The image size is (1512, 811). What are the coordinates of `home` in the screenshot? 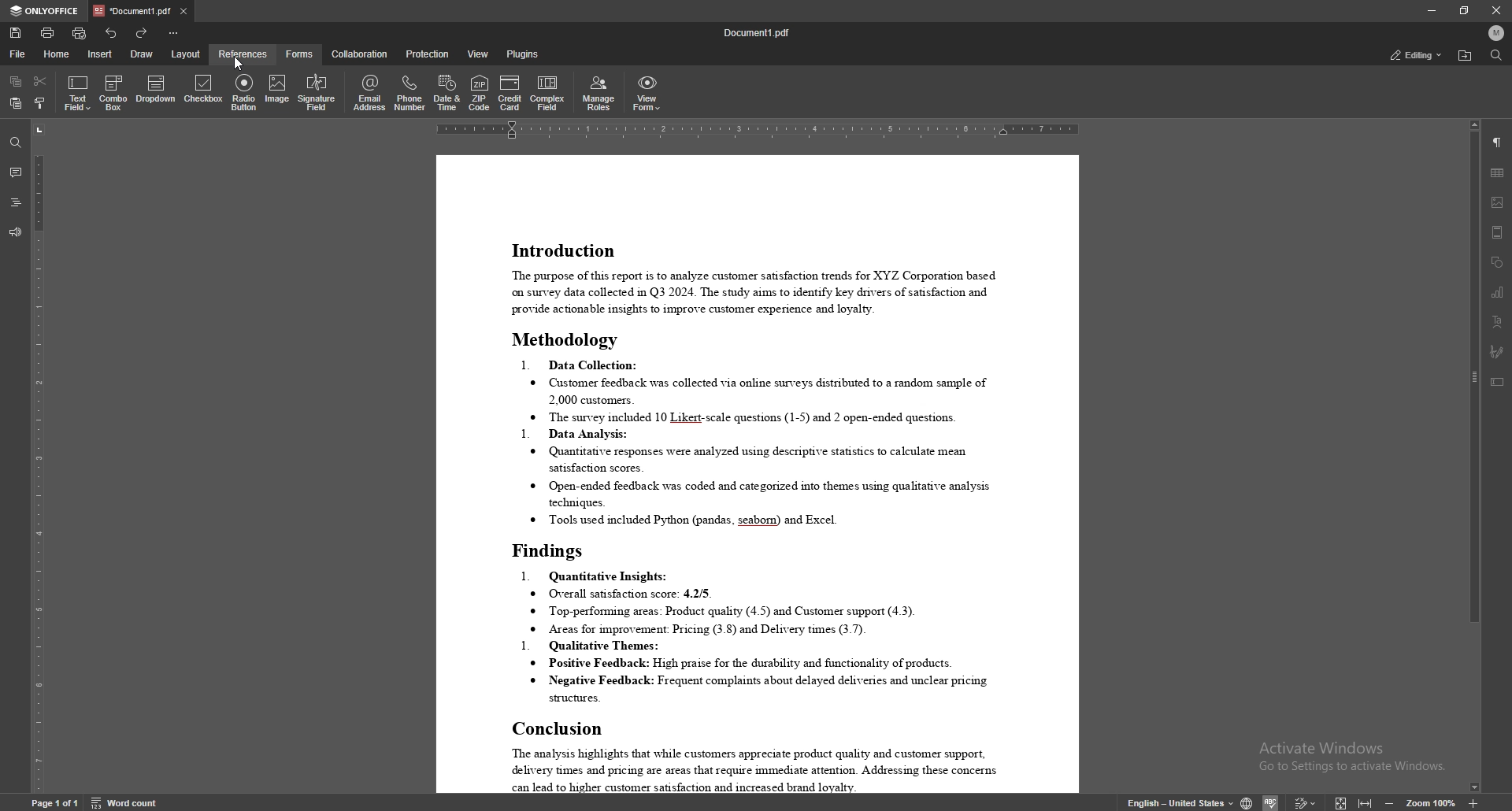 It's located at (56, 54).